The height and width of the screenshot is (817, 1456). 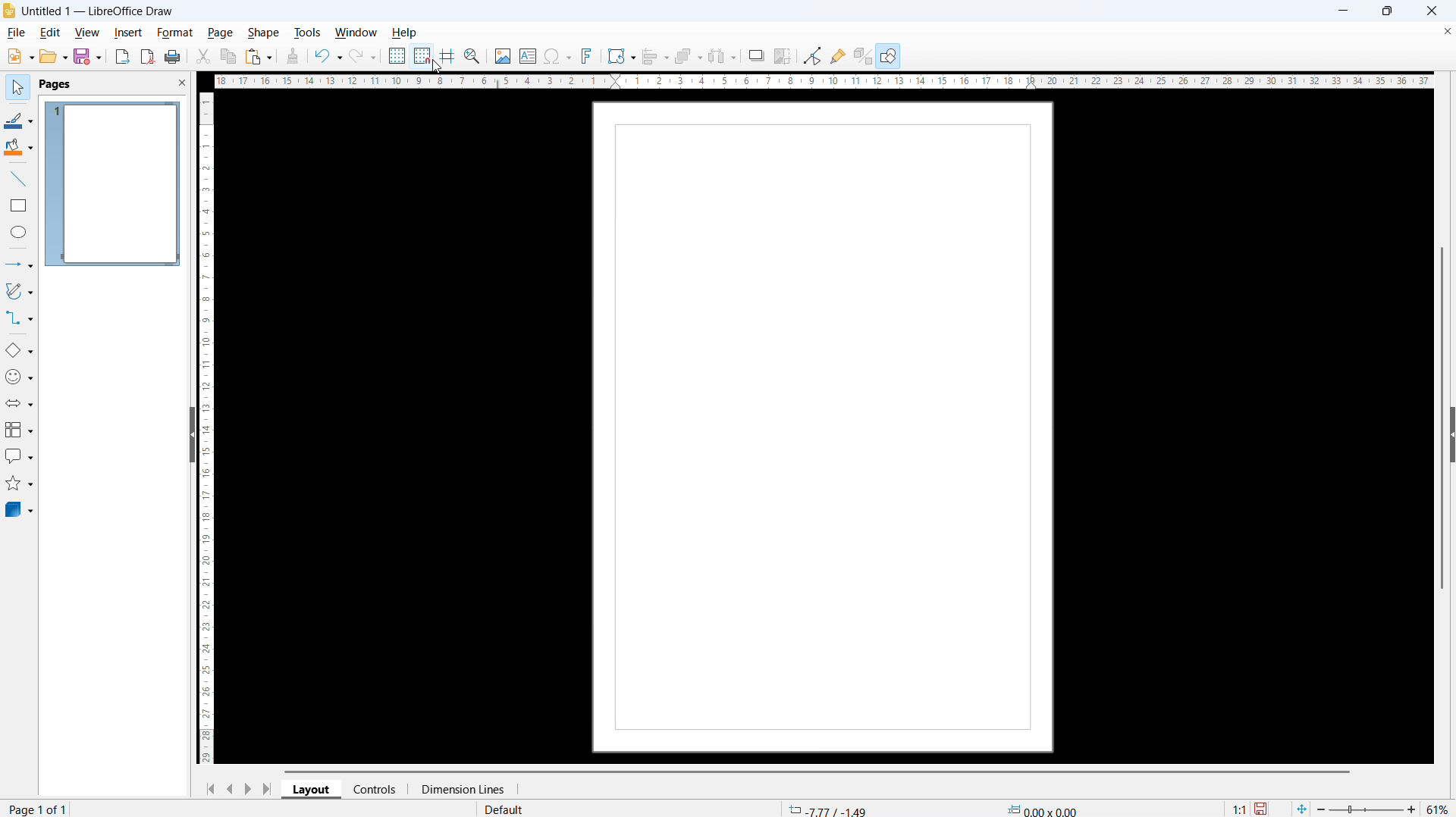 I want to click on Arrange , so click(x=688, y=56).